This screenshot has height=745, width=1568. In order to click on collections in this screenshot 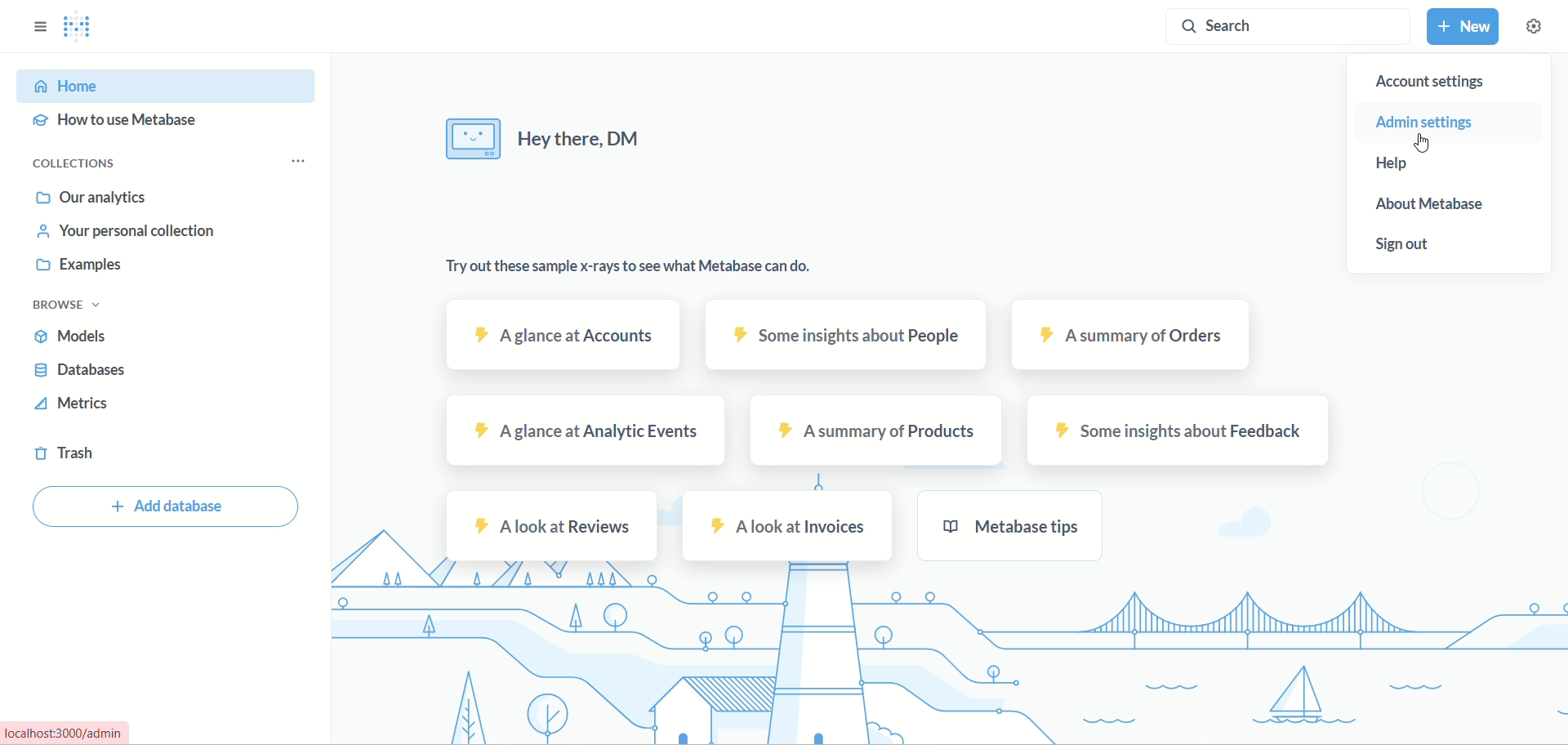, I will do `click(84, 165)`.